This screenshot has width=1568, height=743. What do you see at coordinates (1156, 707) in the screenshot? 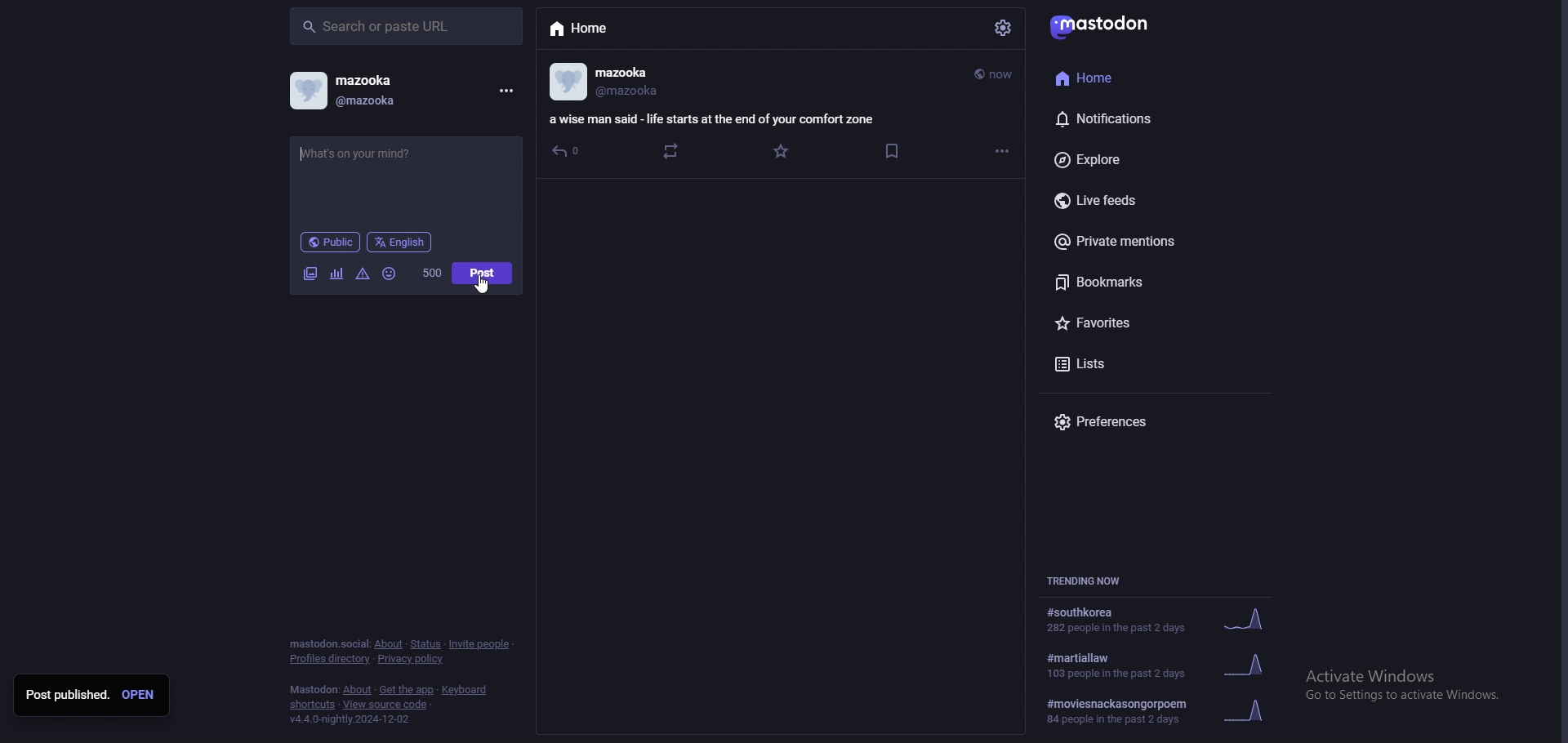
I see `#moviesnackasongorpoem` at bounding box center [1156, 707].